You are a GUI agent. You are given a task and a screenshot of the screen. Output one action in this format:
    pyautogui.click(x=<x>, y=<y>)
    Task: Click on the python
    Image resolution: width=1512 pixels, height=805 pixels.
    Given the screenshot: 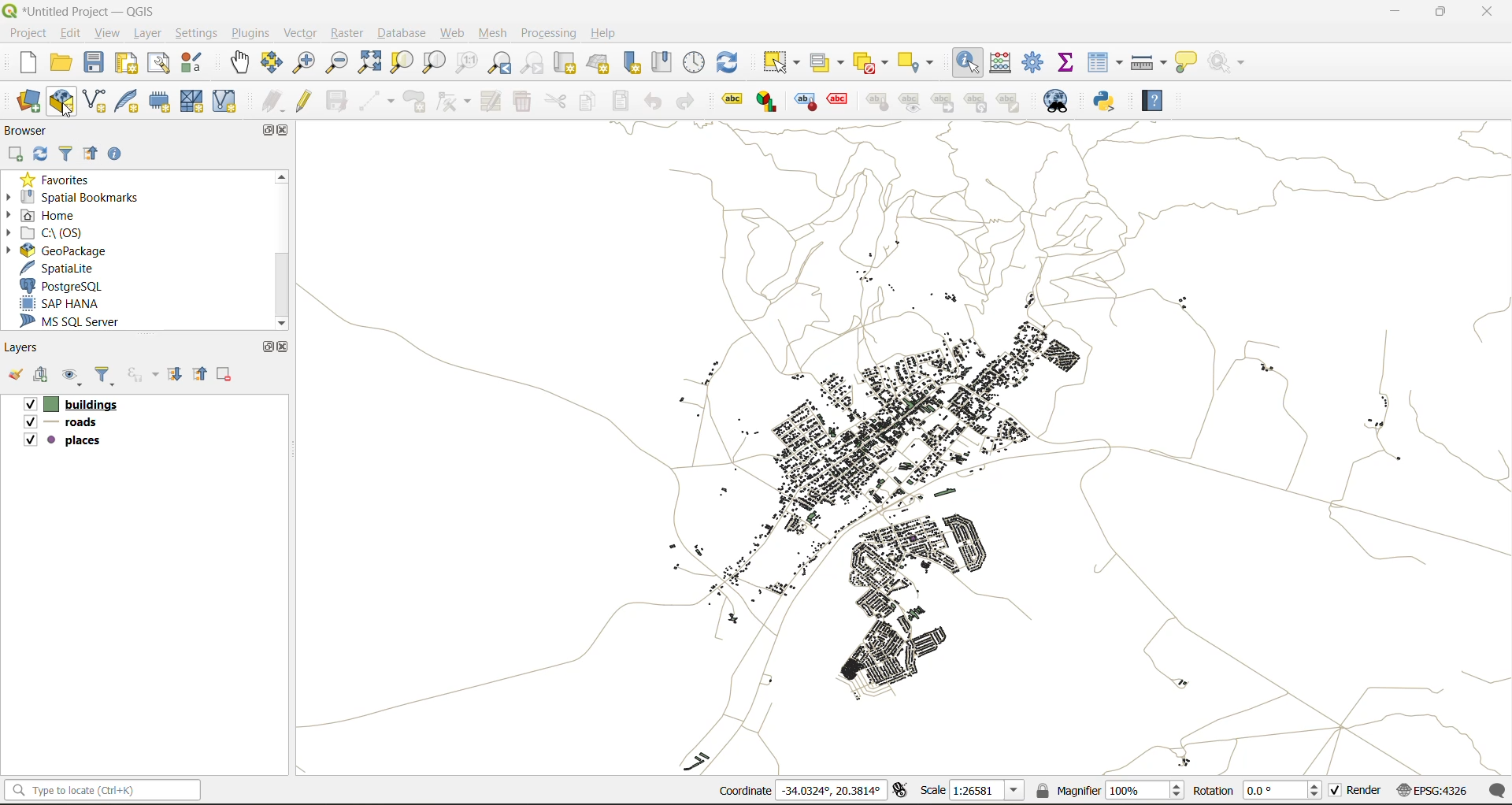 What is the action you would take?
    pyautogui.click(x=1105, y=102)
    